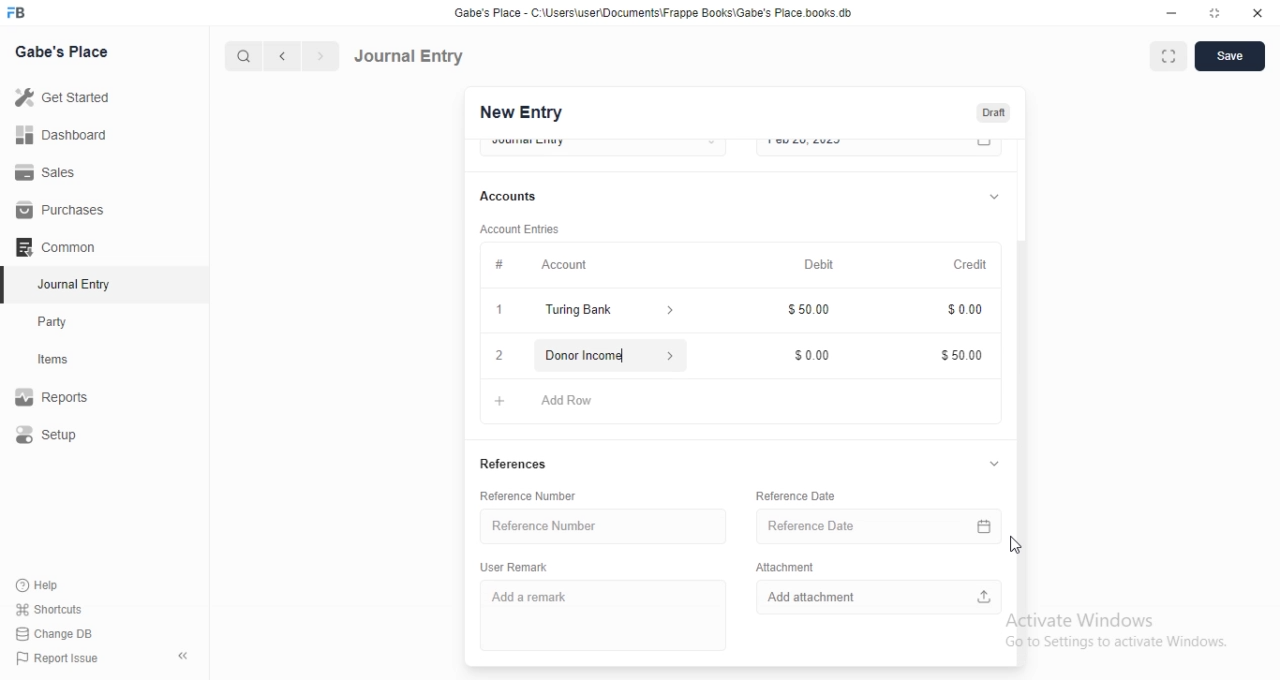 The height and width of the screenshot is (680, 1280). Describe the element at coordinates (988, 523) in the screenshot. I see `calender` at that location.